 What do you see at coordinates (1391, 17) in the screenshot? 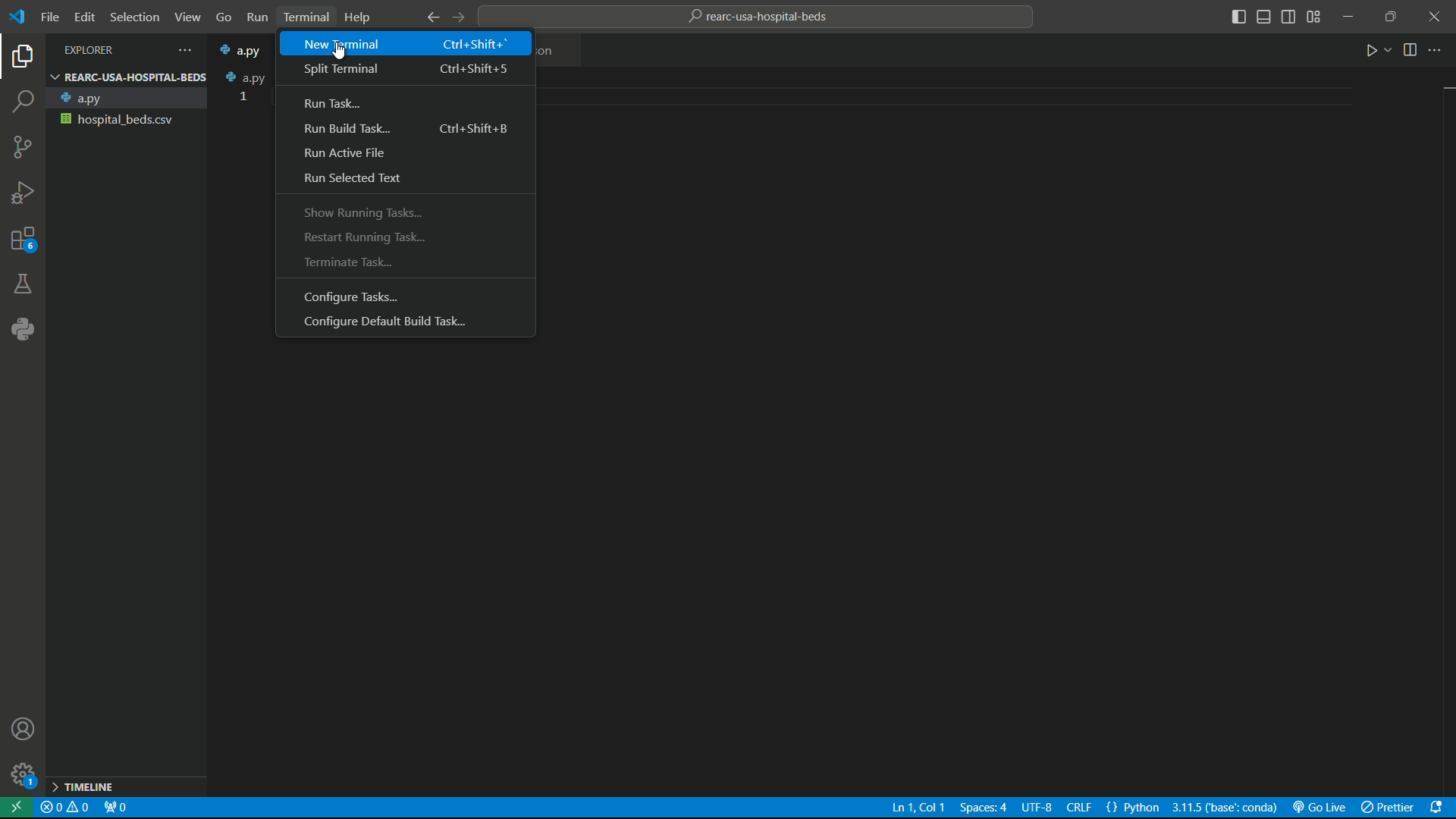
I see `maixmize or restore` at bounding box center [1391, 17].